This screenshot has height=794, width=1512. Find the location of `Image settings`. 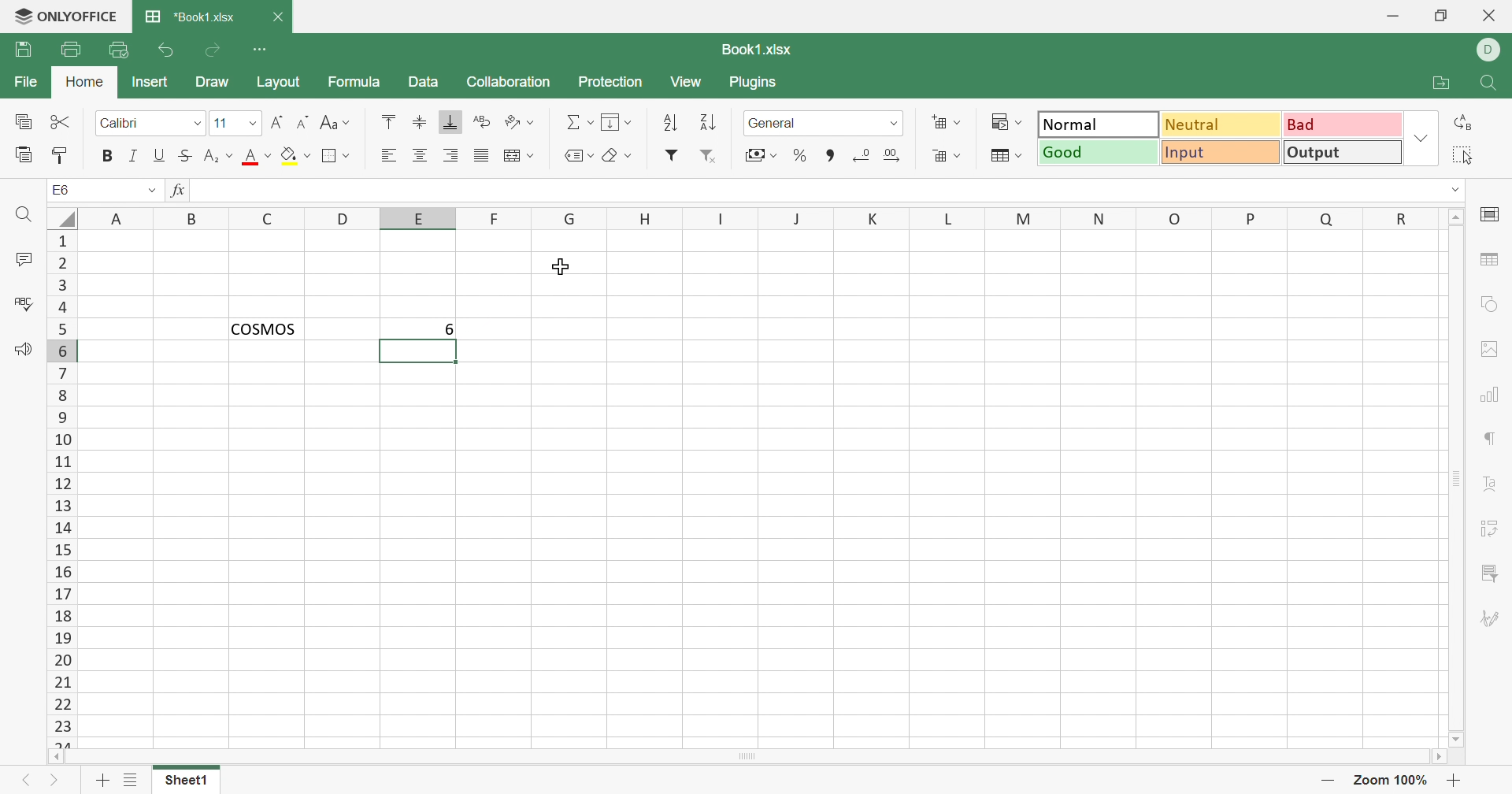

Image settings is located at coordinates (1489, 350).